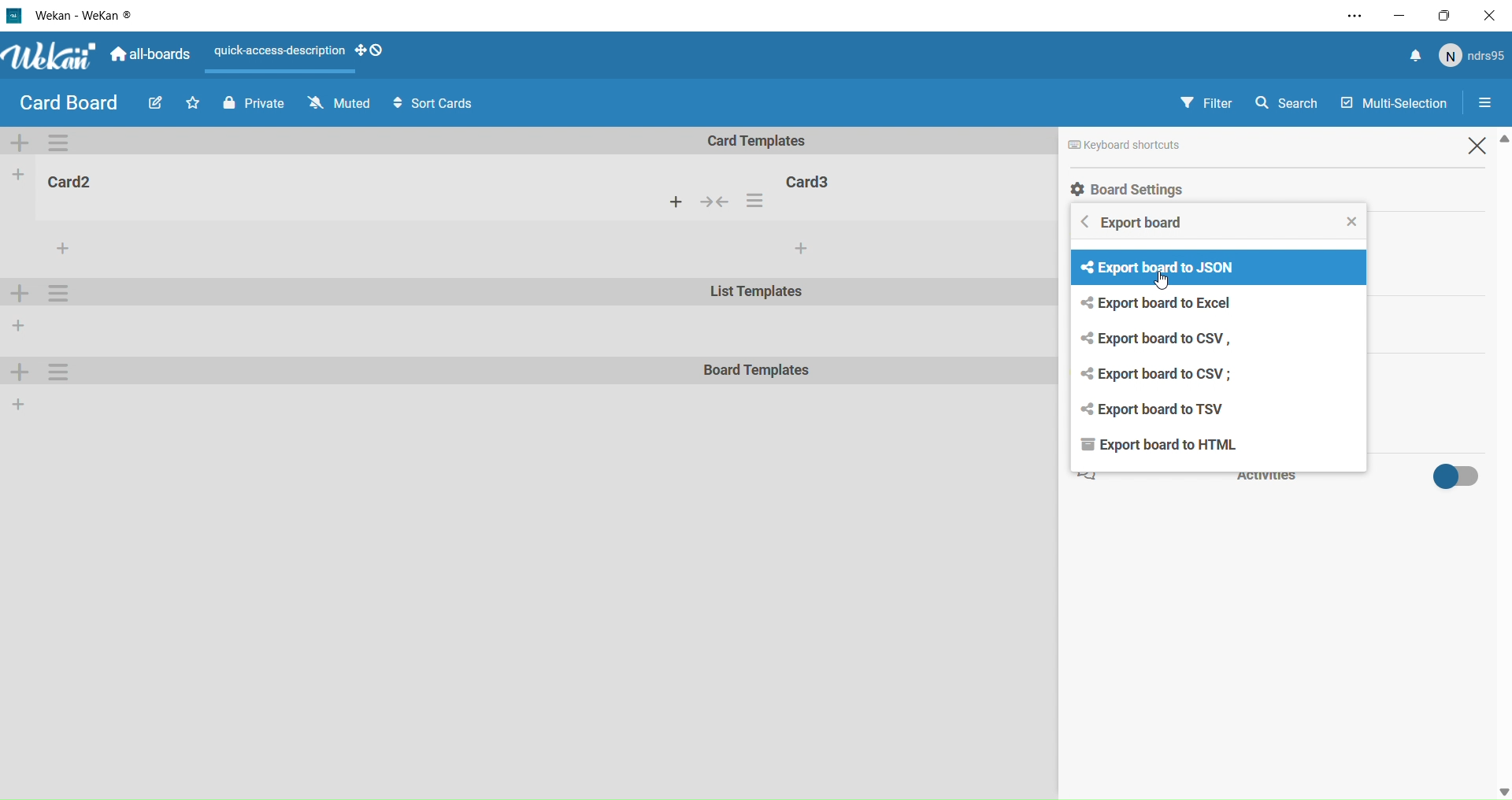 The image size is (1512, 800). What do you see at coordinates (759, 201) in the screenshot?
I see `actions` at bounding box center [759, 201].